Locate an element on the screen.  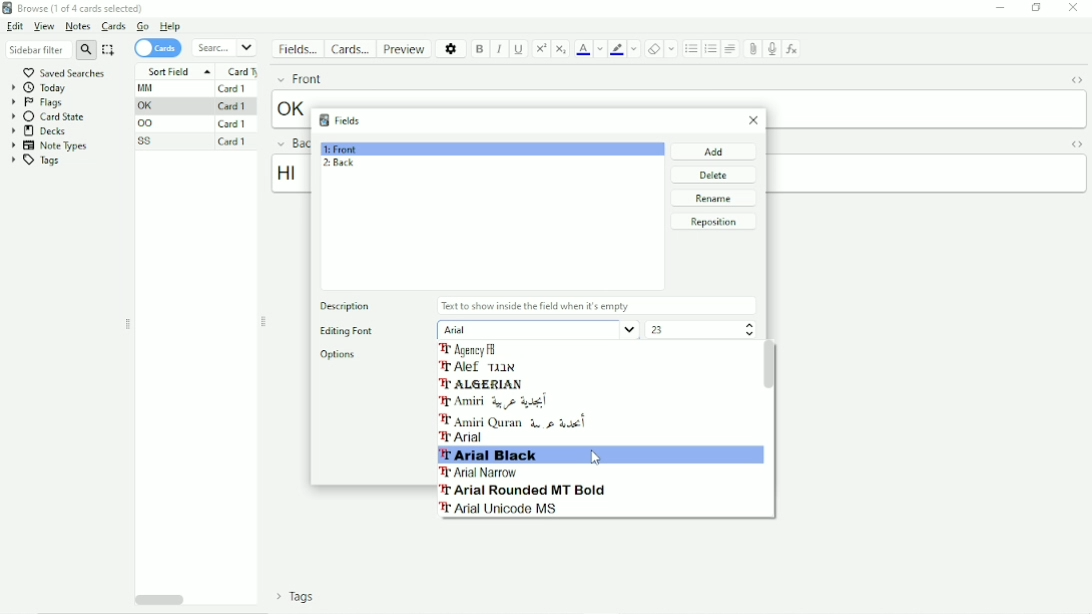
Resize is located at coordinates (128, 325).